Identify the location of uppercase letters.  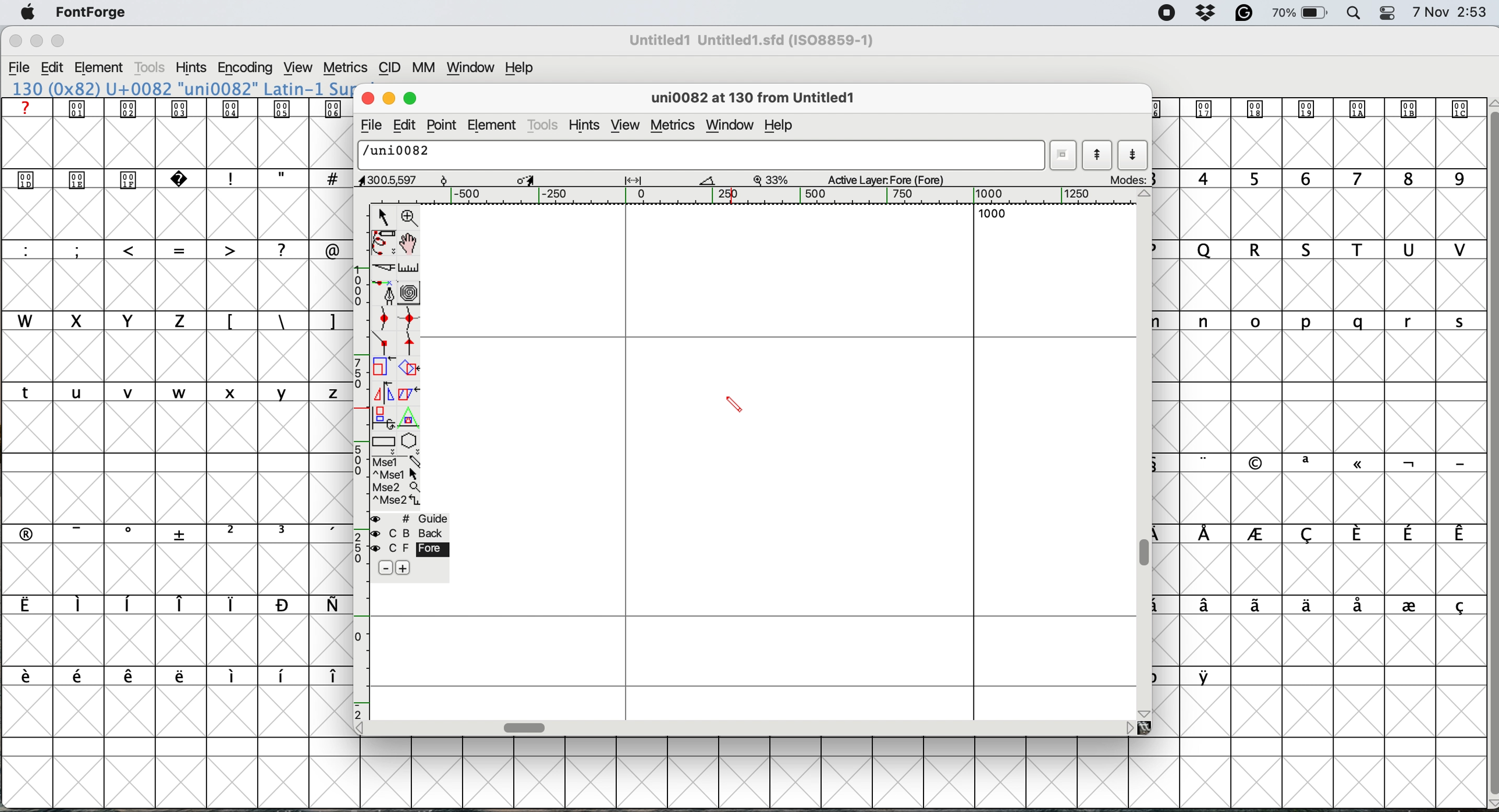
(1319, 251).